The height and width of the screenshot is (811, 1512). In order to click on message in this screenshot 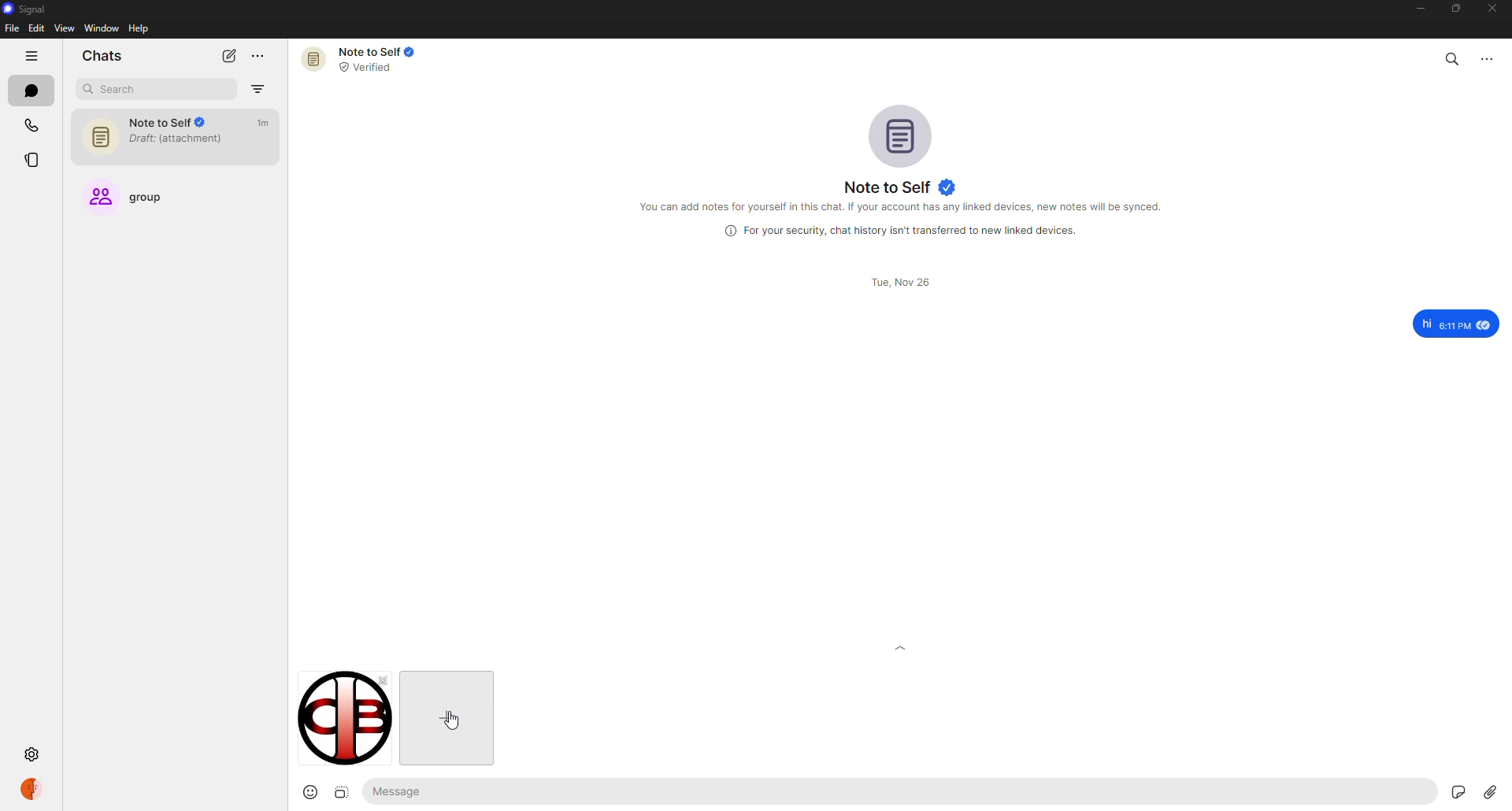, I will do `click(1455, 324)`.